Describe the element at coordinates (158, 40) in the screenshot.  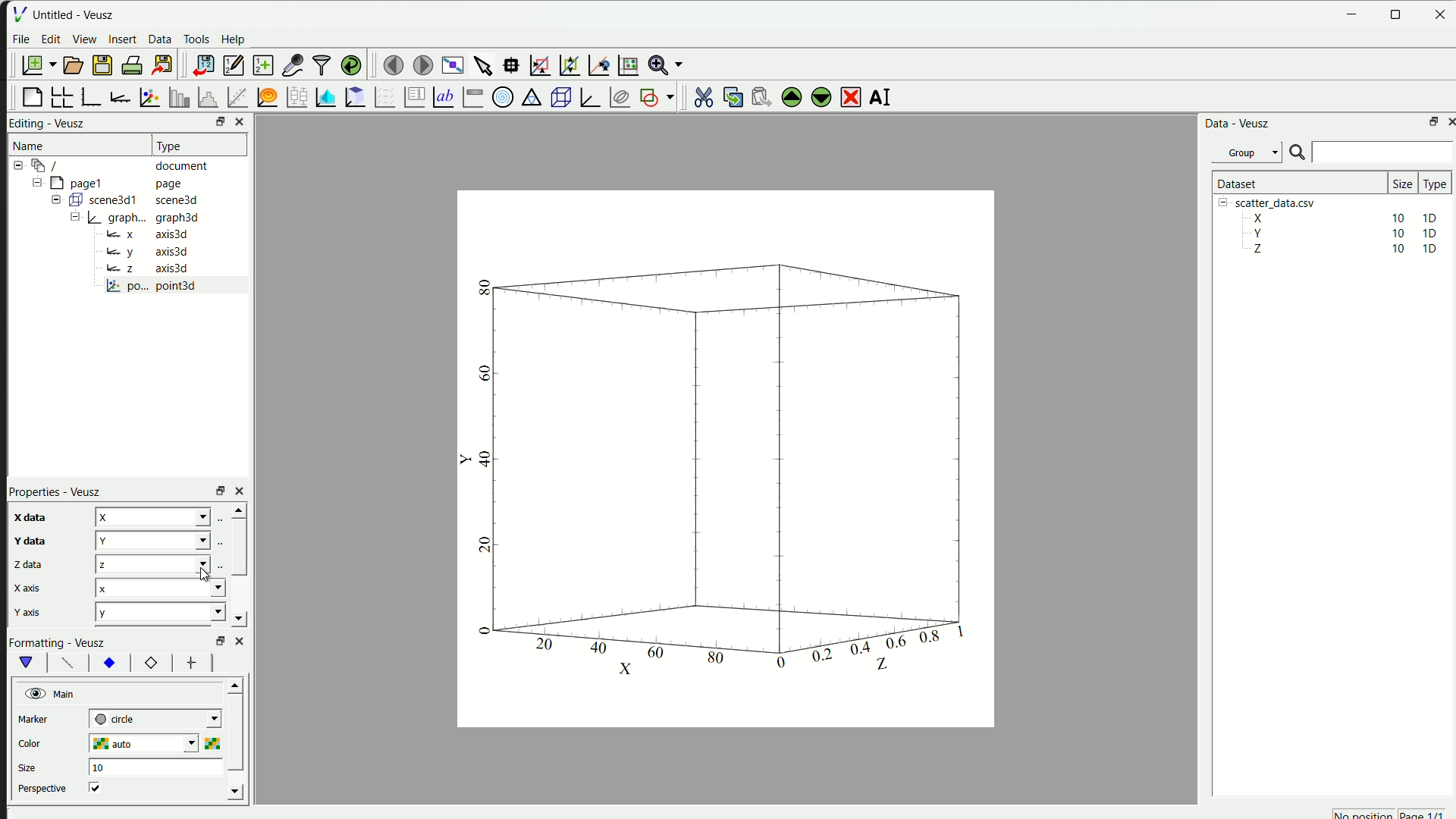
I see `Data` at that location.